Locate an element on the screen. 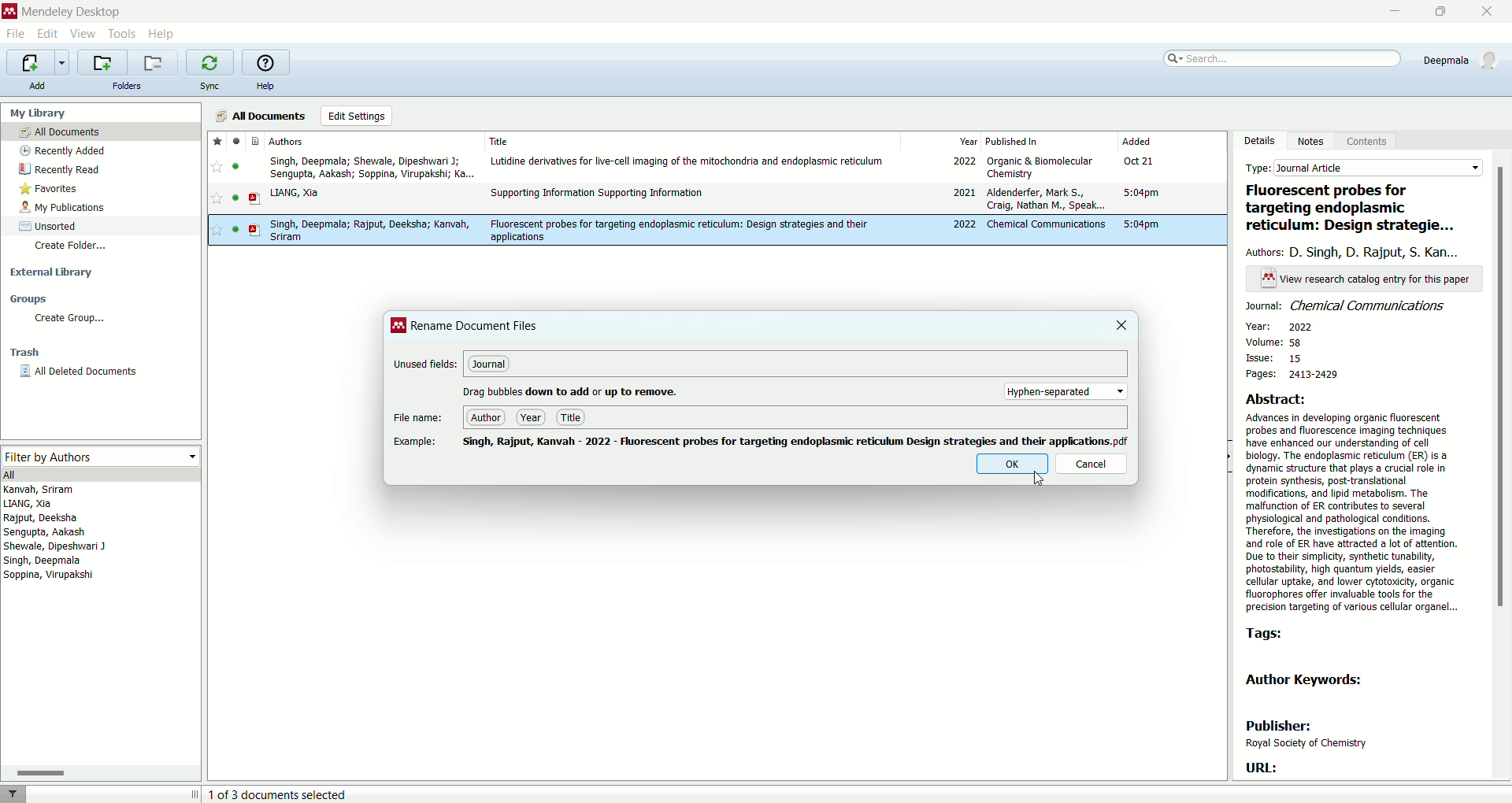 Image resolution: width=1512 pixels, height=803 pixels. import is located at coordinates (38, 62).